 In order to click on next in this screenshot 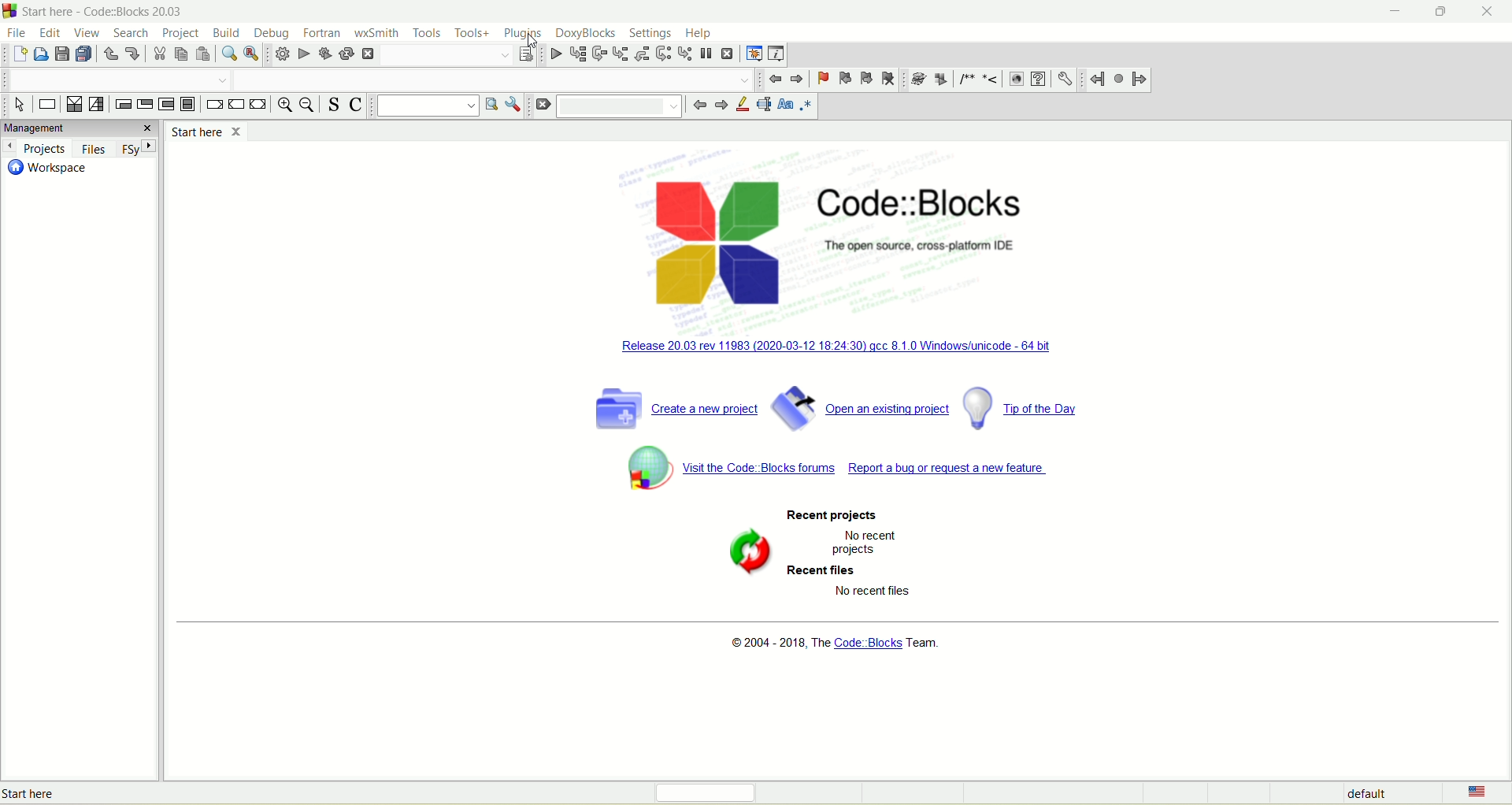, I will do `click(798, 79)`.